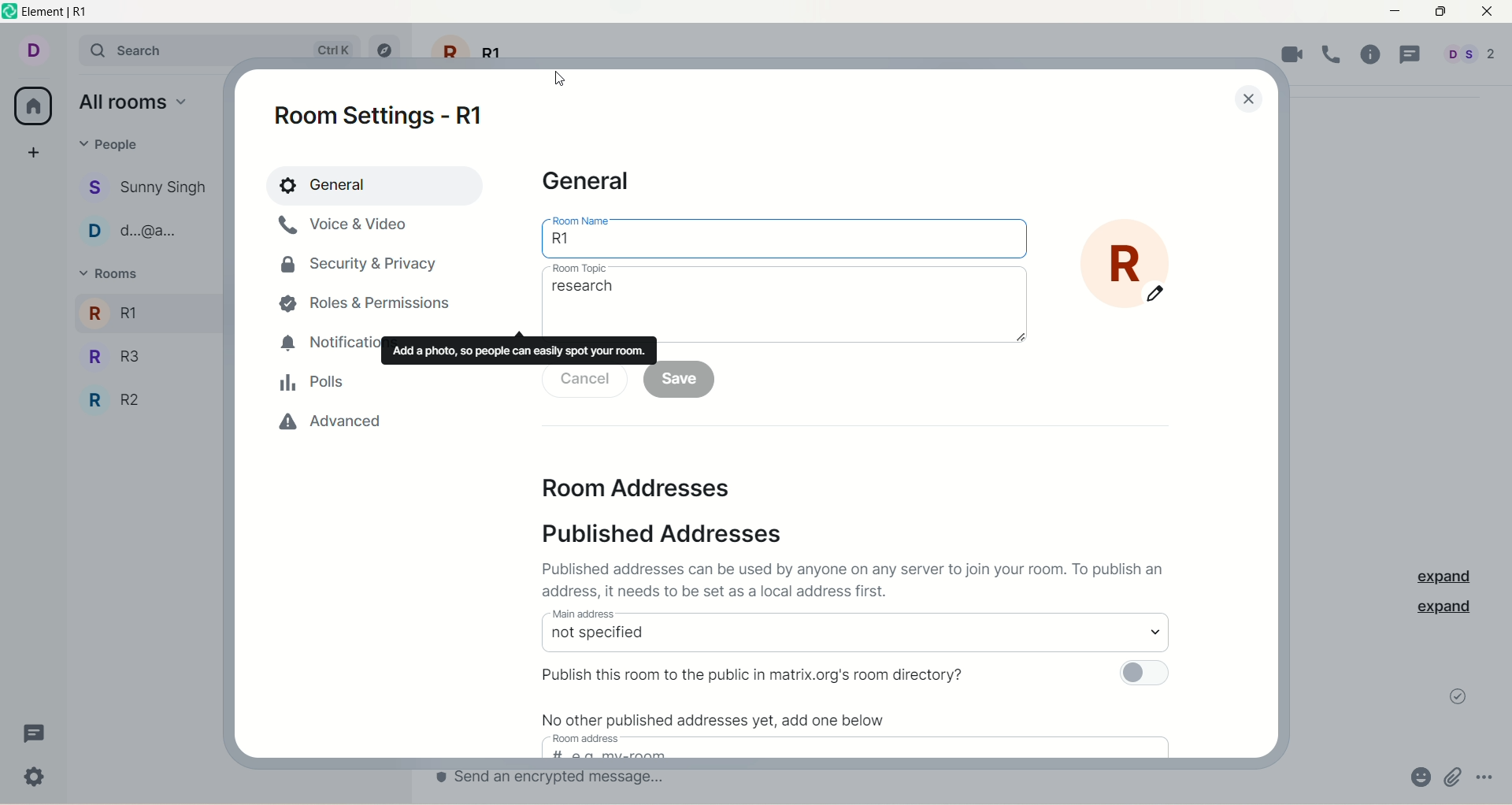  I want to click on room addresses, so click(637, 486).